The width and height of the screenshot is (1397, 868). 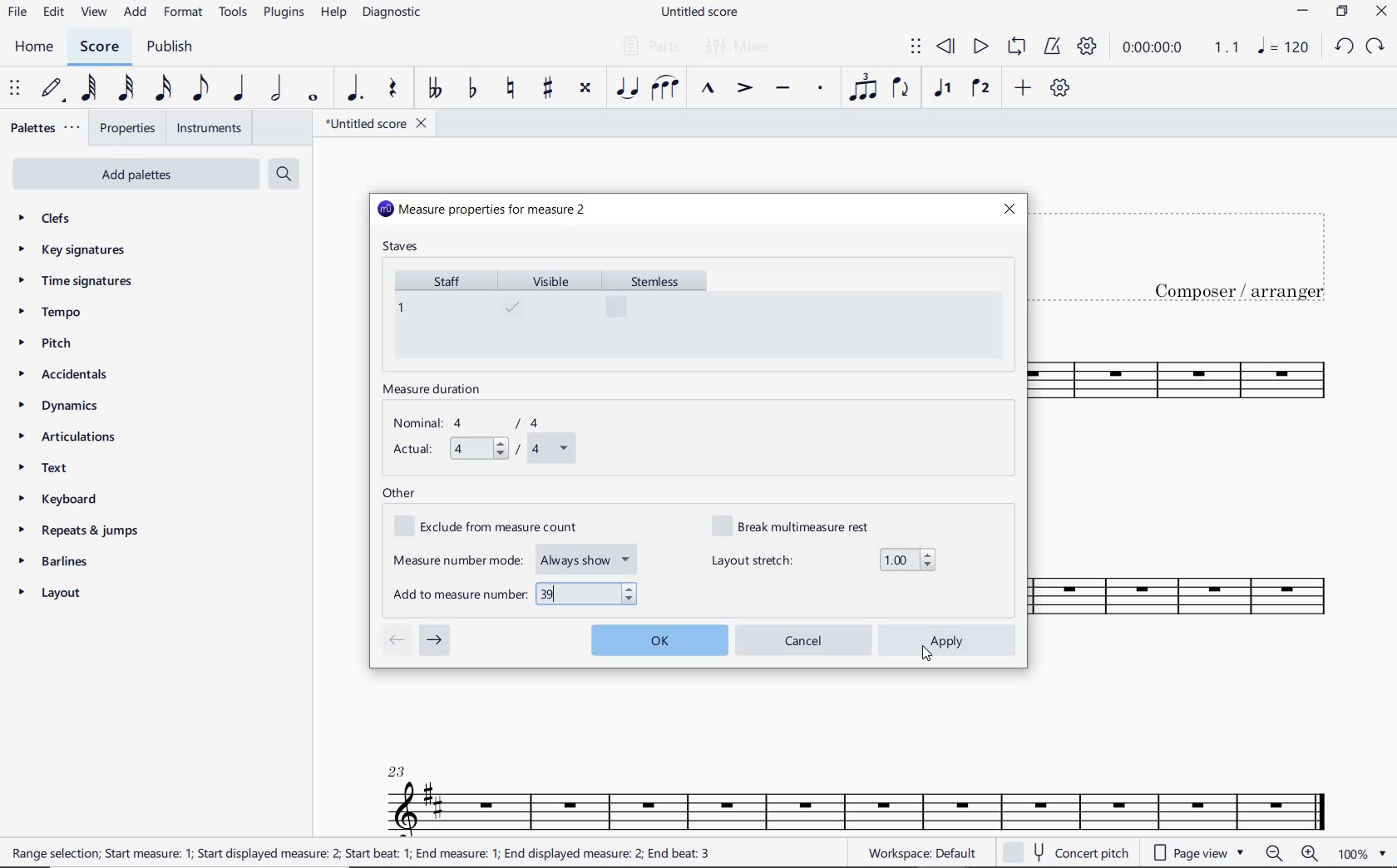 I want to click on go to next measure, so click(x=435, y=641).